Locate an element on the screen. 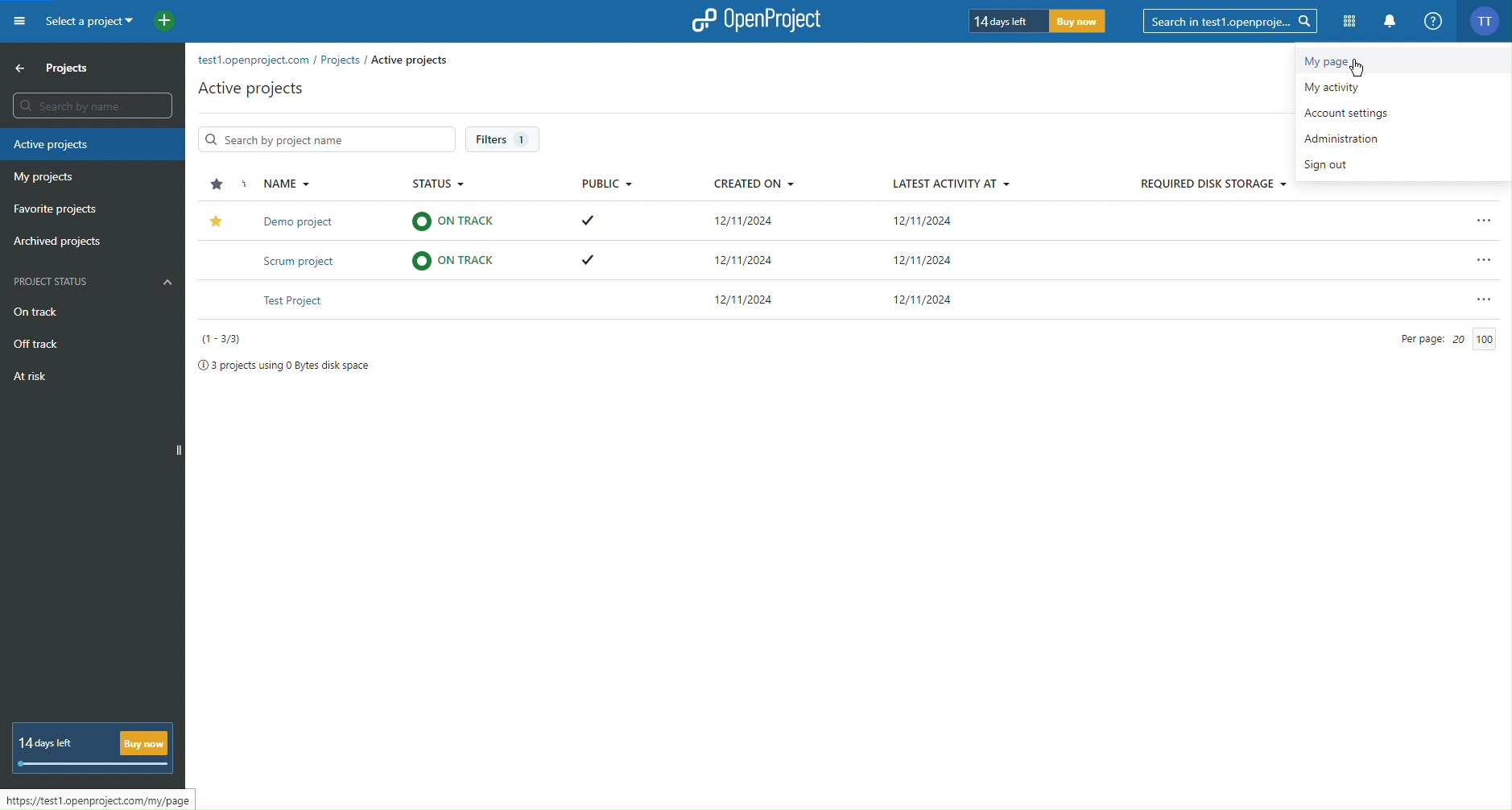  Account settings is located at coordinates (1347, 110).